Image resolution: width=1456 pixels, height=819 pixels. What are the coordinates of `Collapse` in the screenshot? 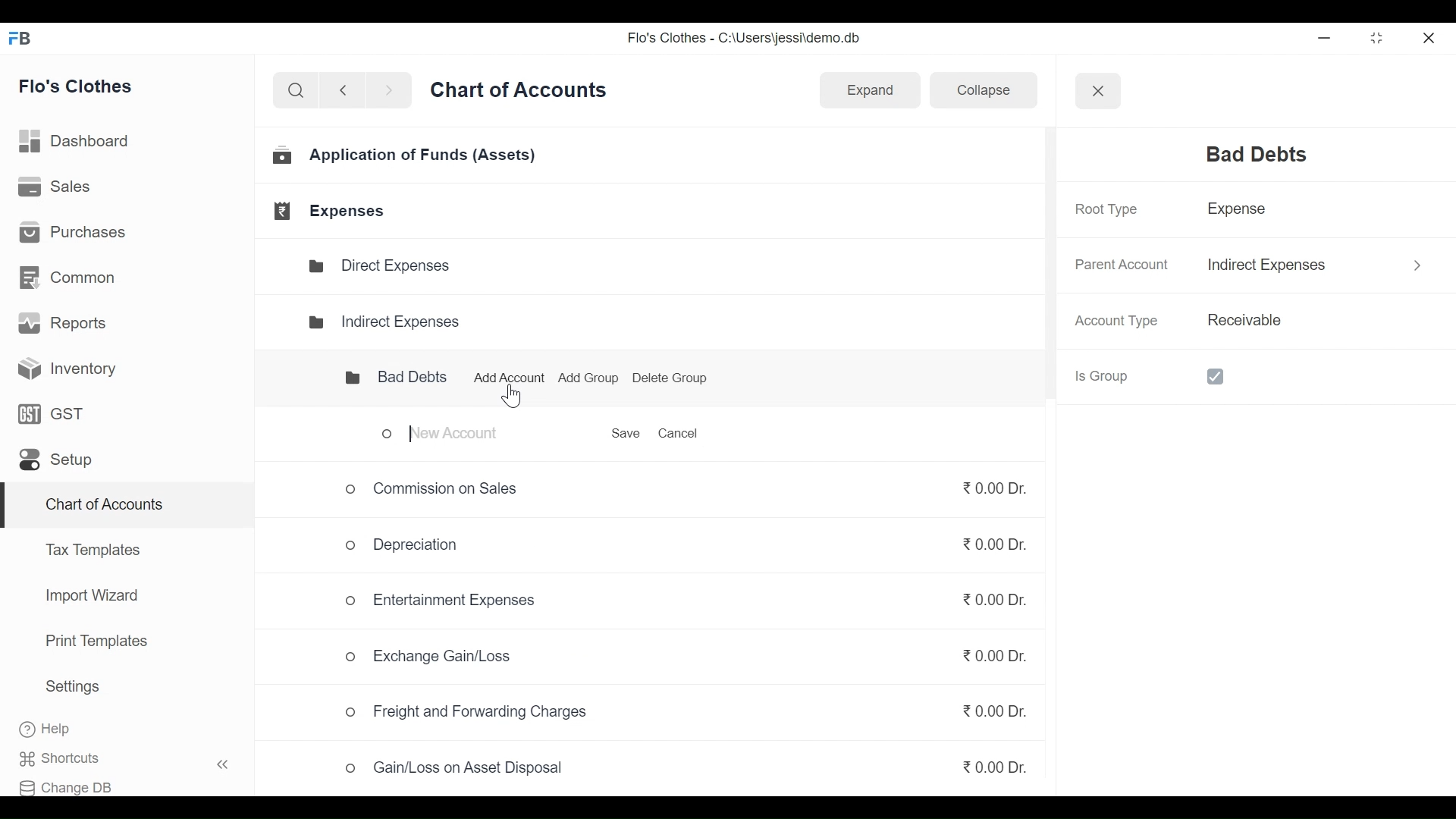 It's located at (977, 93).